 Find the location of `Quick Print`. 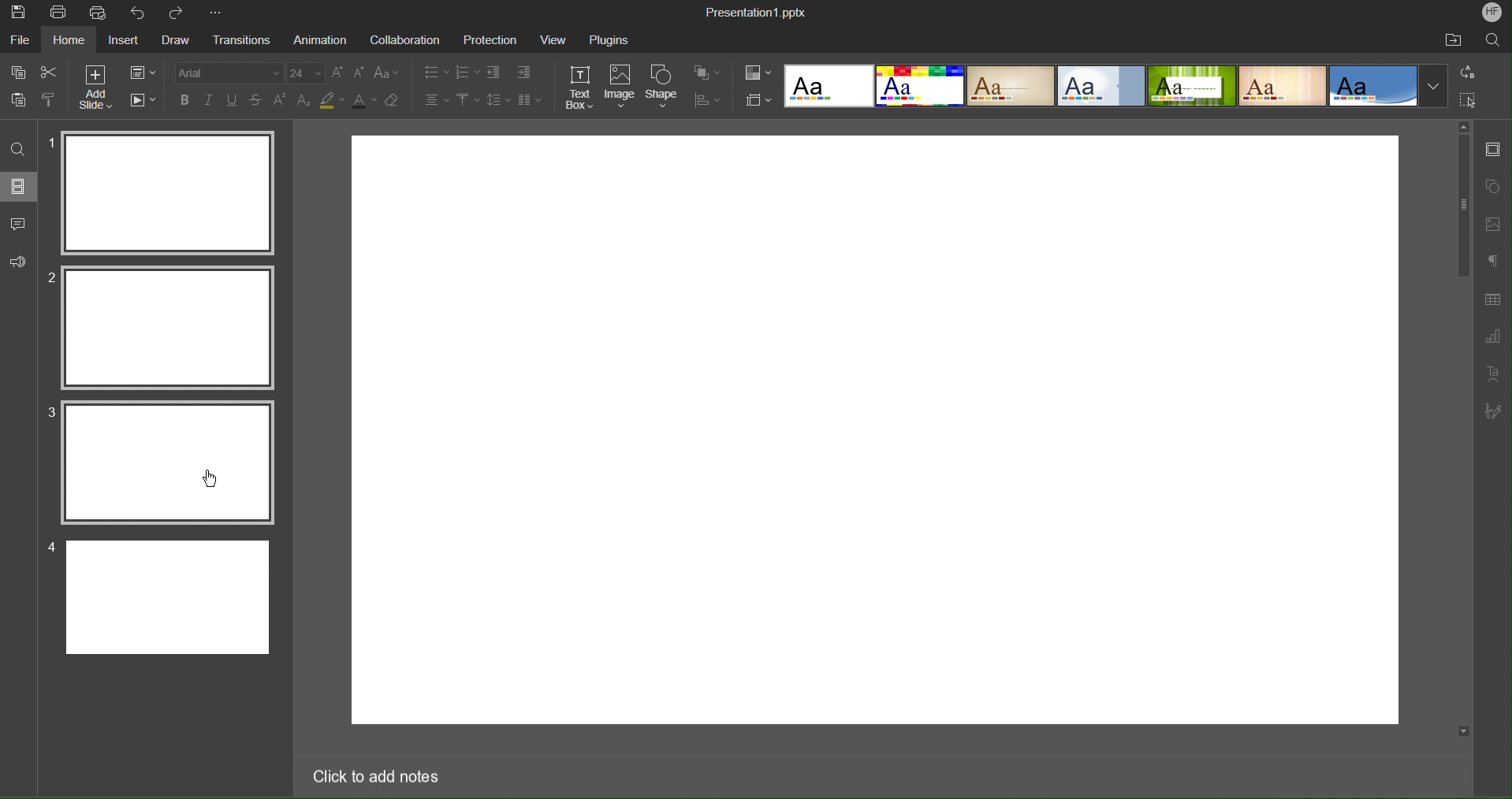

Quick Print is located at coordinates (100, 13).